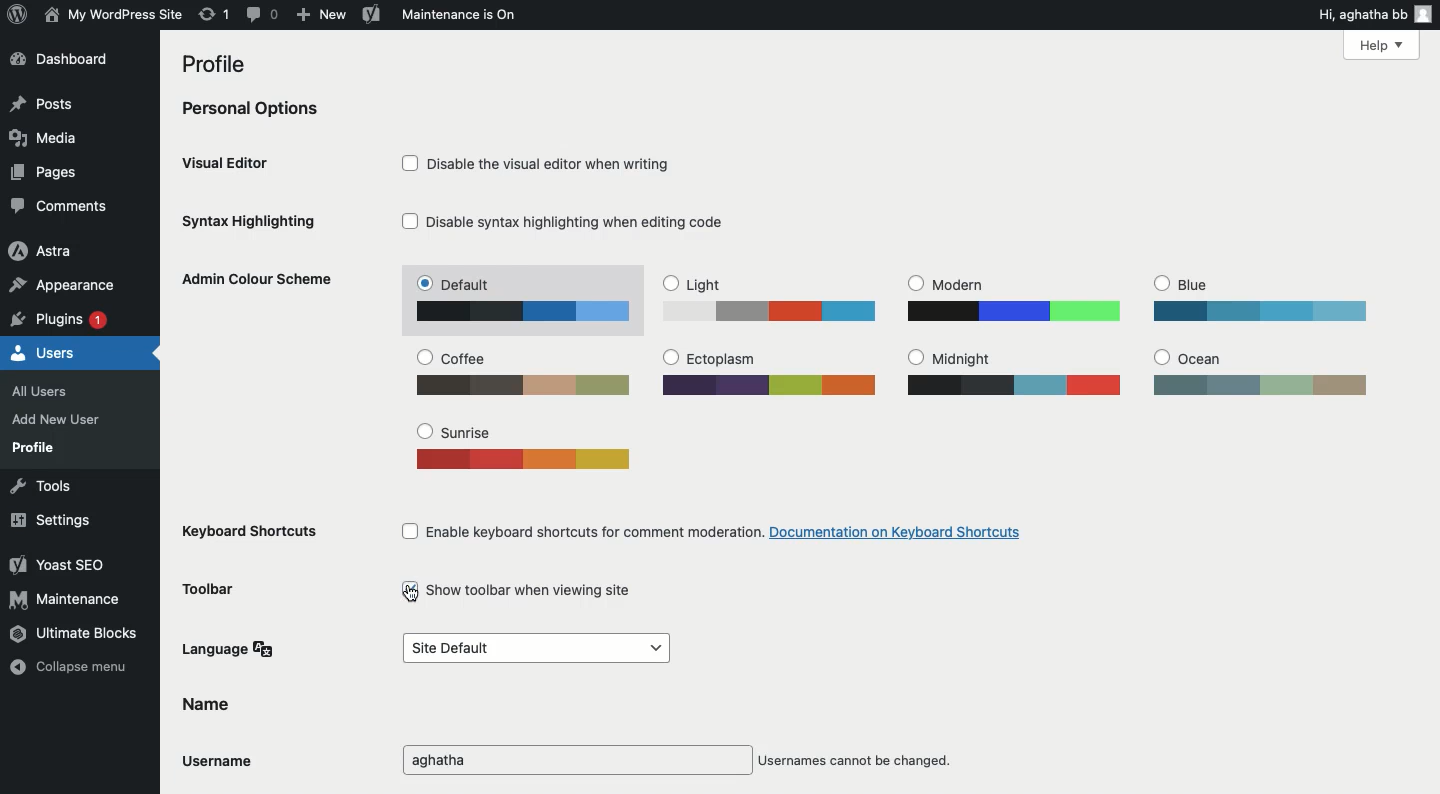  What do you see at coordinates (61, 566) in the screenshot?
I see `Yoast SEO` at bounding box center [61, 566].